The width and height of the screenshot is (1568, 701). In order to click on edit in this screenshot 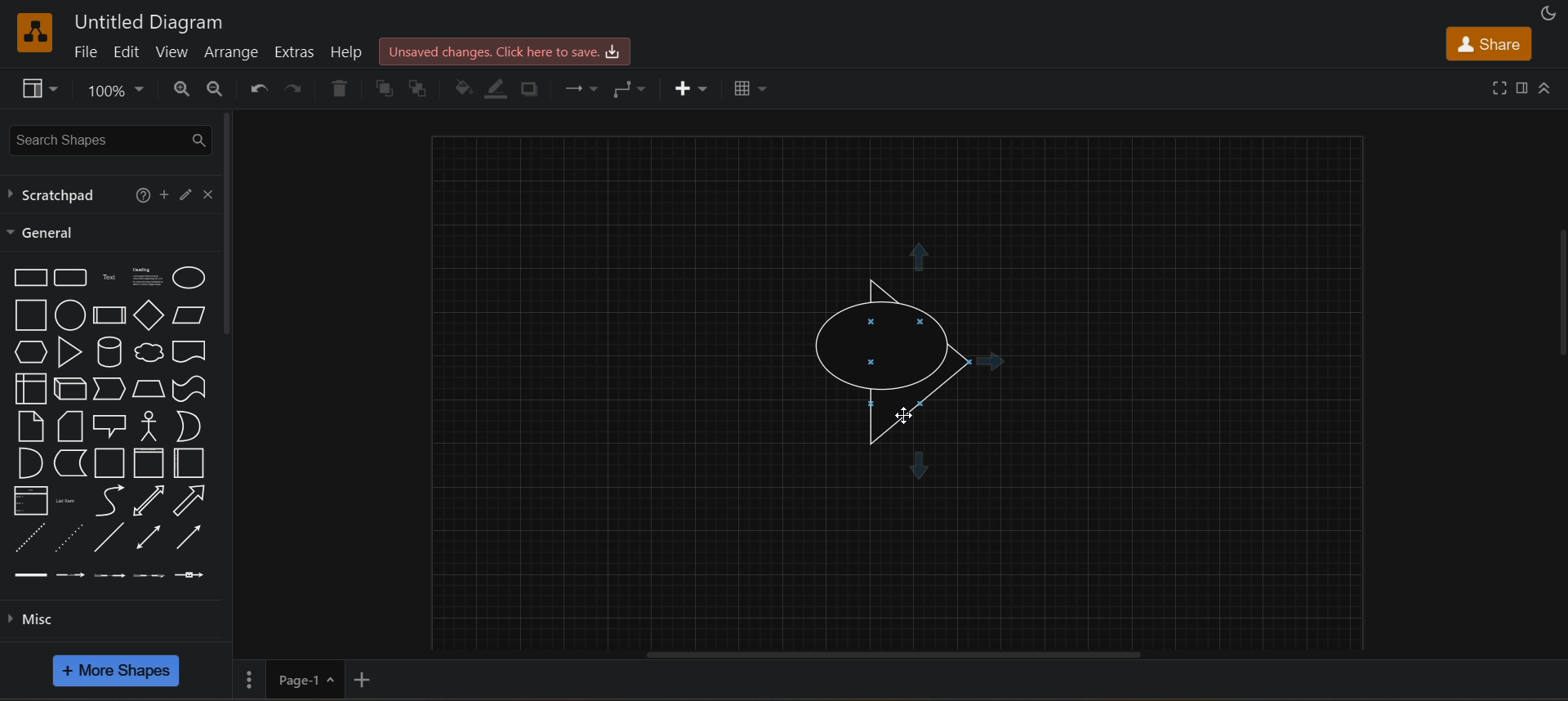, I will do `click(128, 52)`.